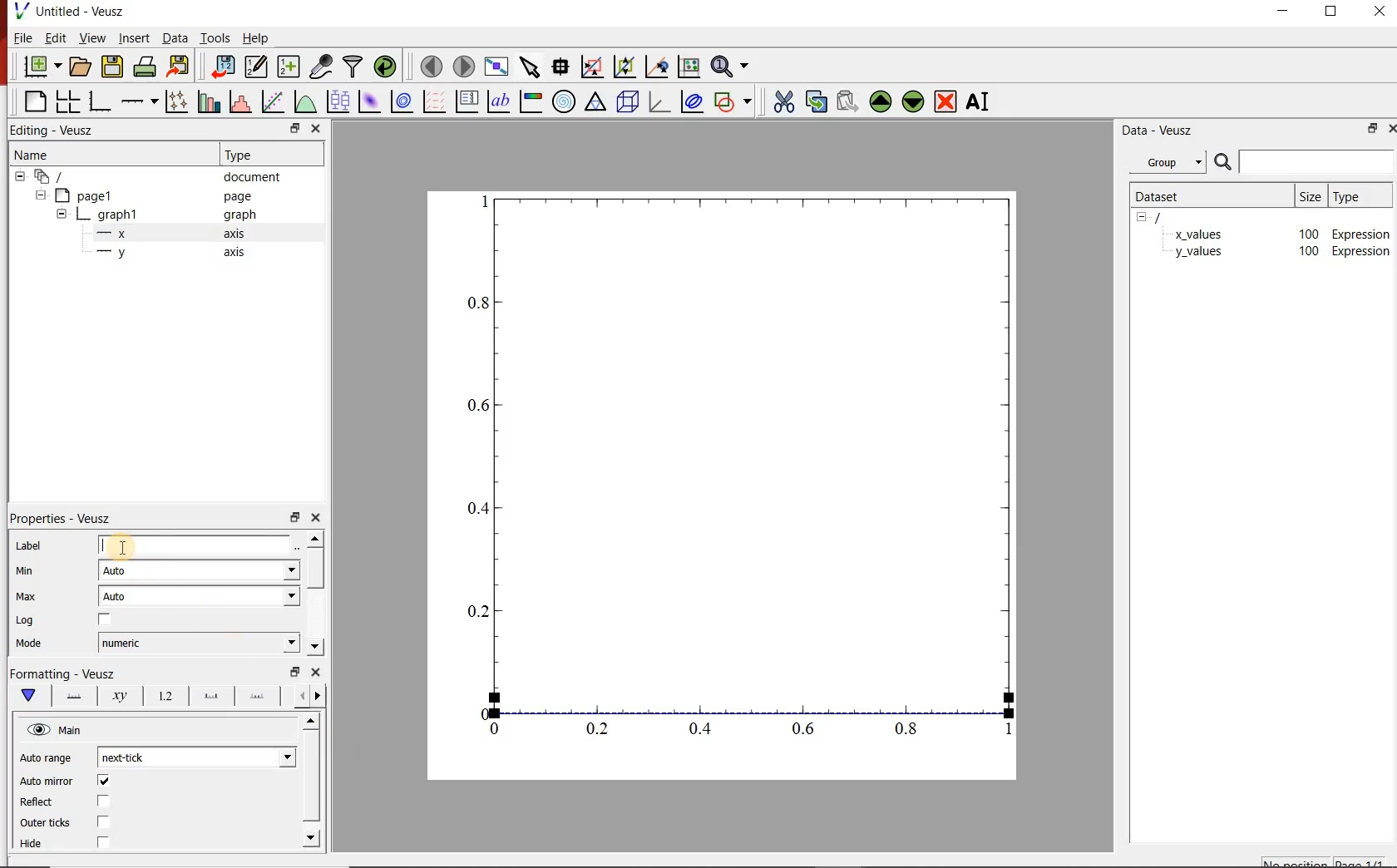  I want to click on create new datasets using ranges, parametrically or as functions of existing datasets, so click(291, 67).